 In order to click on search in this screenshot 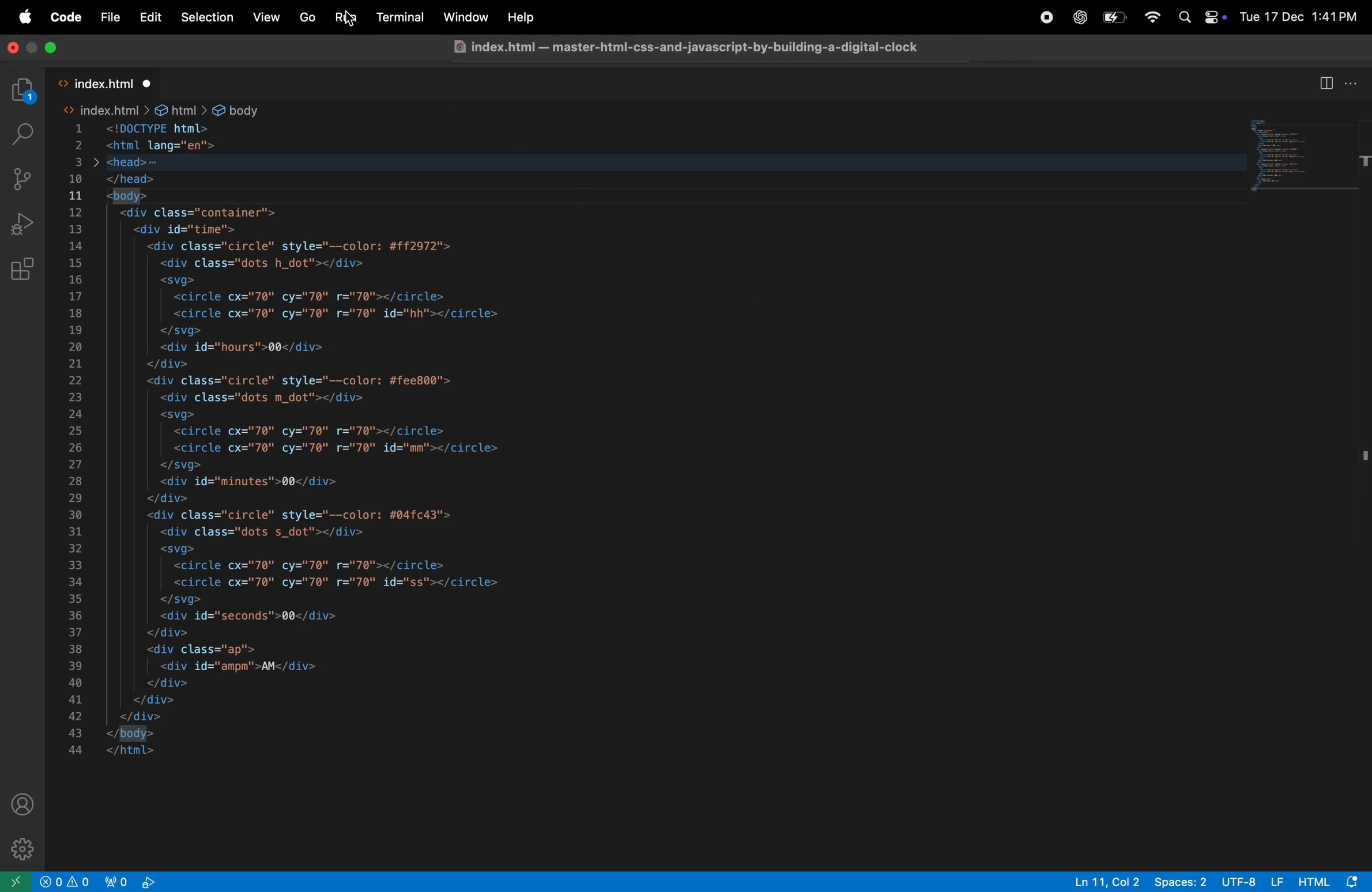, I will do `click(22, 133)`.